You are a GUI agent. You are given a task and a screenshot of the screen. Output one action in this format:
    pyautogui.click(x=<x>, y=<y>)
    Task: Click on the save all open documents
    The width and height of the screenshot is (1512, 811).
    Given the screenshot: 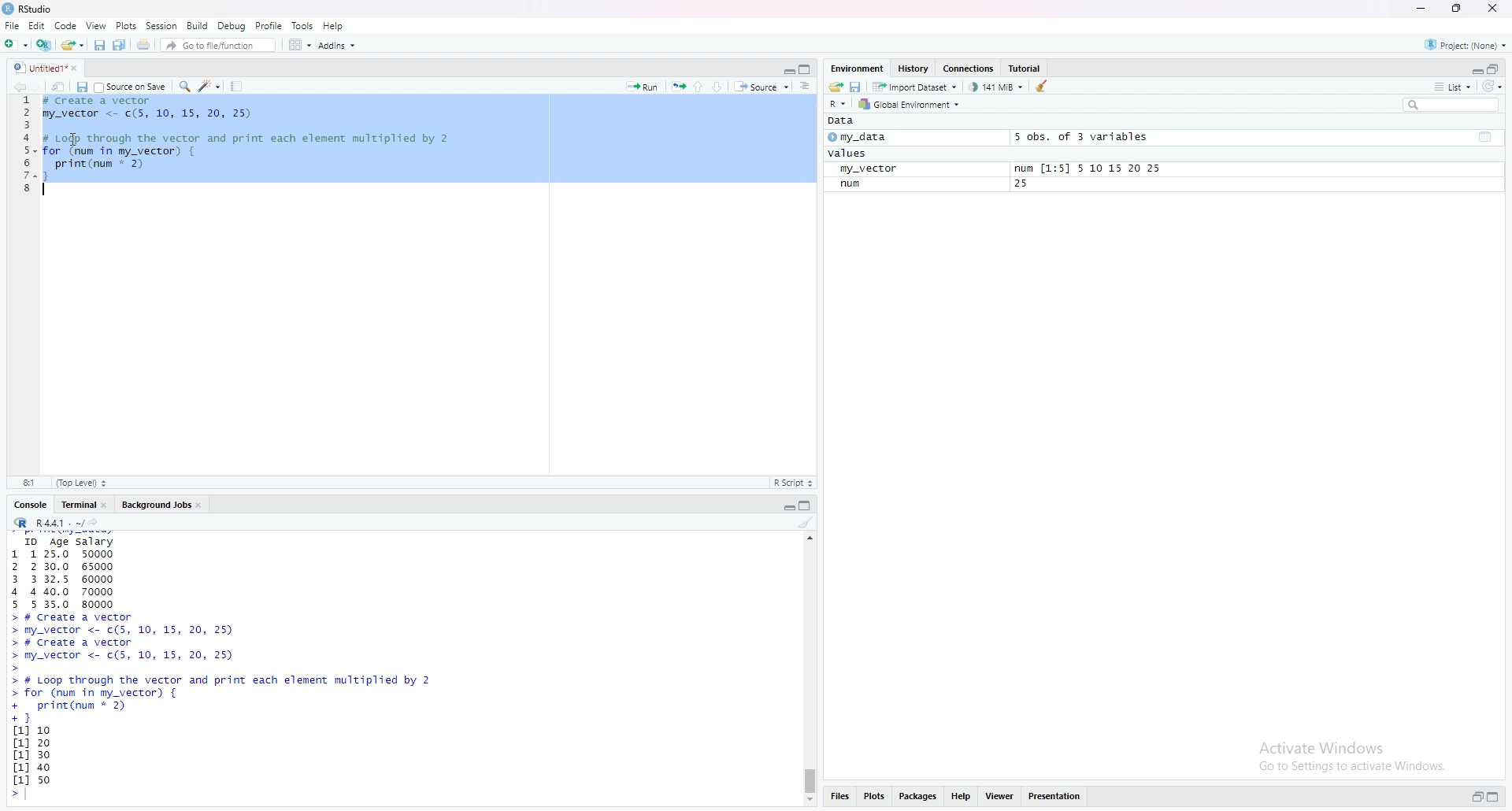 What is the action you would take?
    pyautogui.click(x=120, y=45)
    